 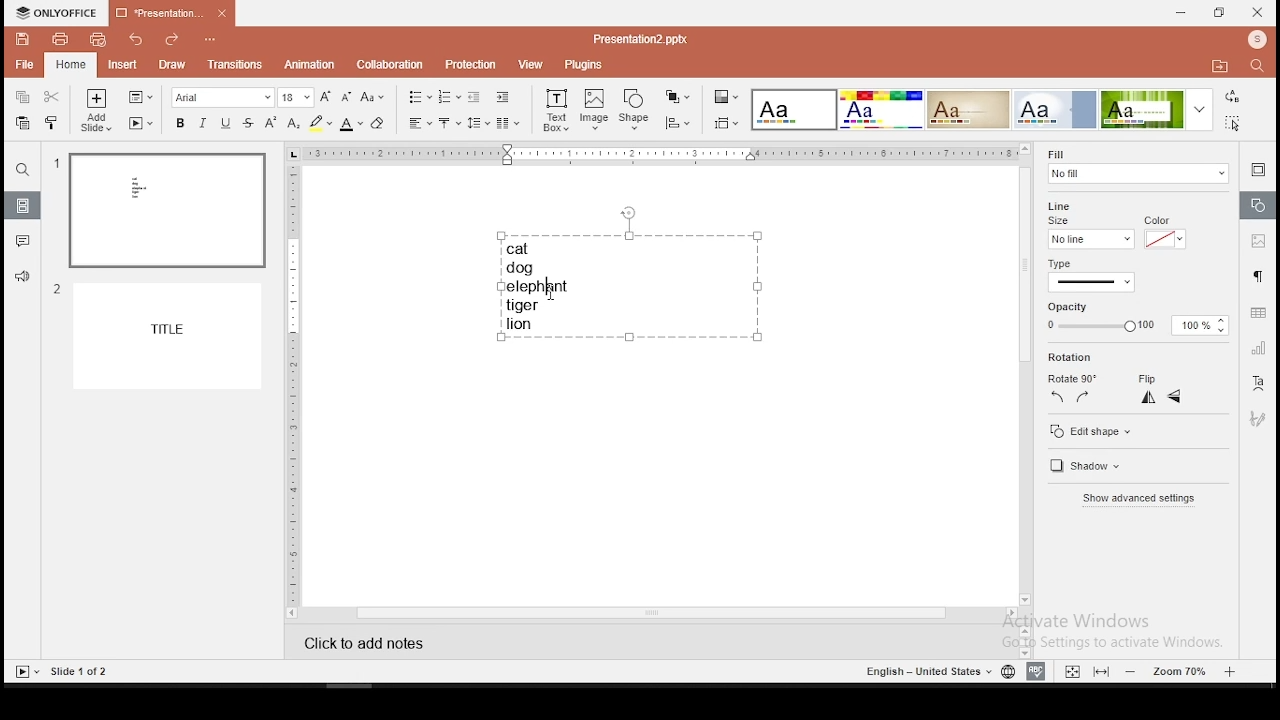 I want to click on font, so click(x=220, y=97).